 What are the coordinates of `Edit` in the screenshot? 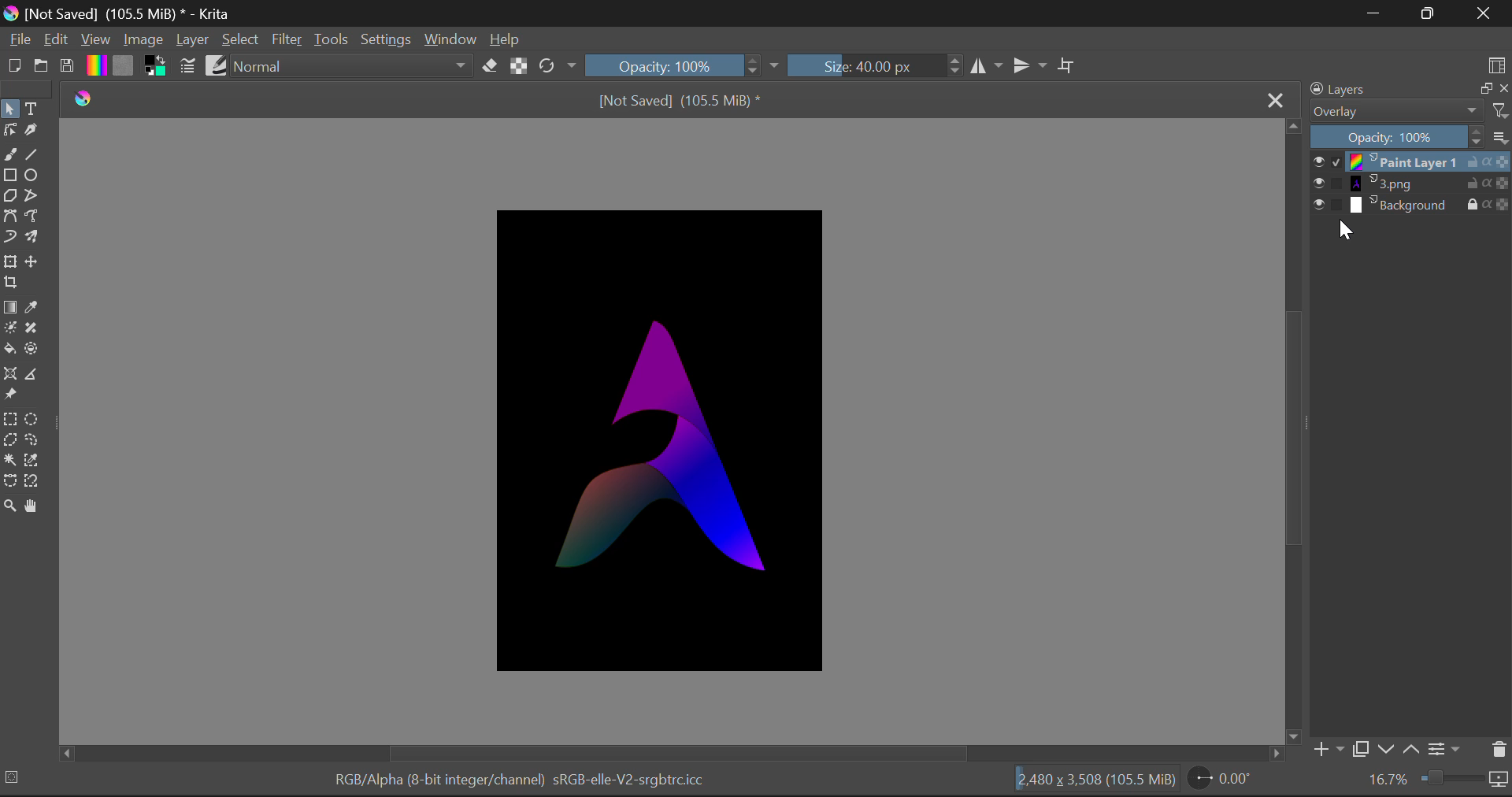 It's located at (57, 40).